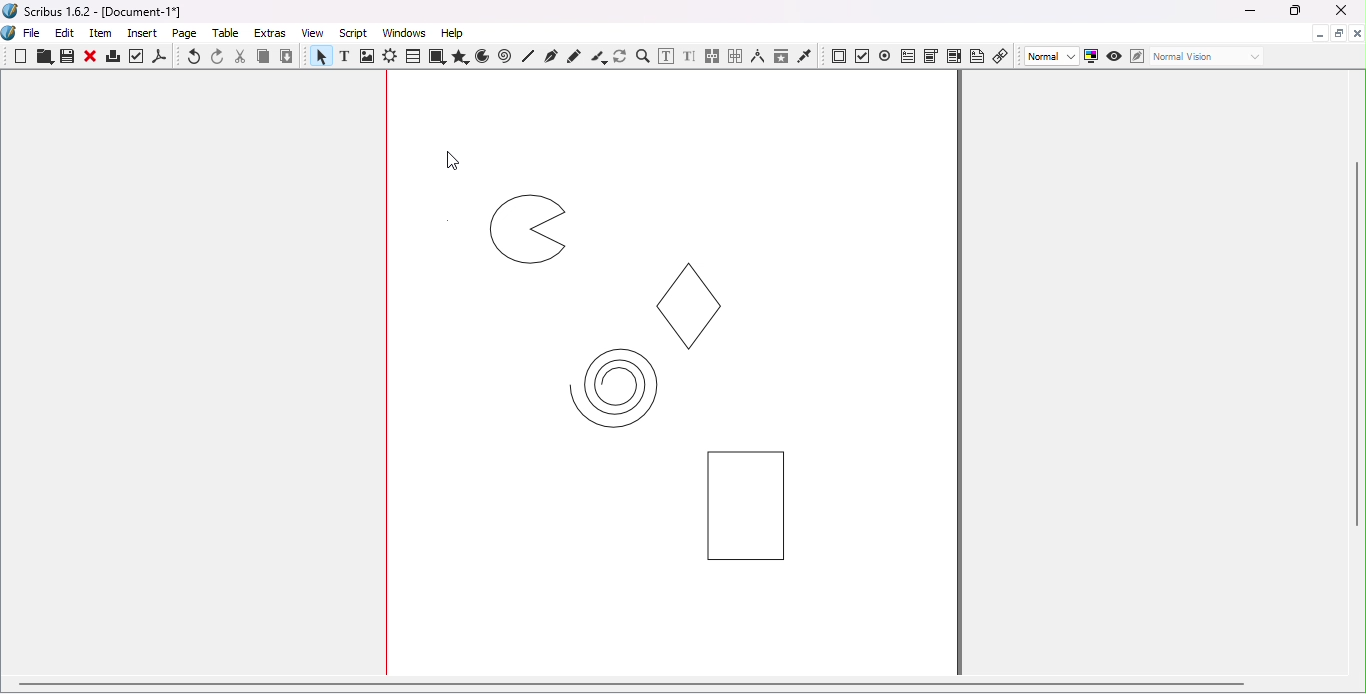  What do you see at coordinates (369, 58) in the screenshot?
I see `Image frame` at bounding box center [369, 58].